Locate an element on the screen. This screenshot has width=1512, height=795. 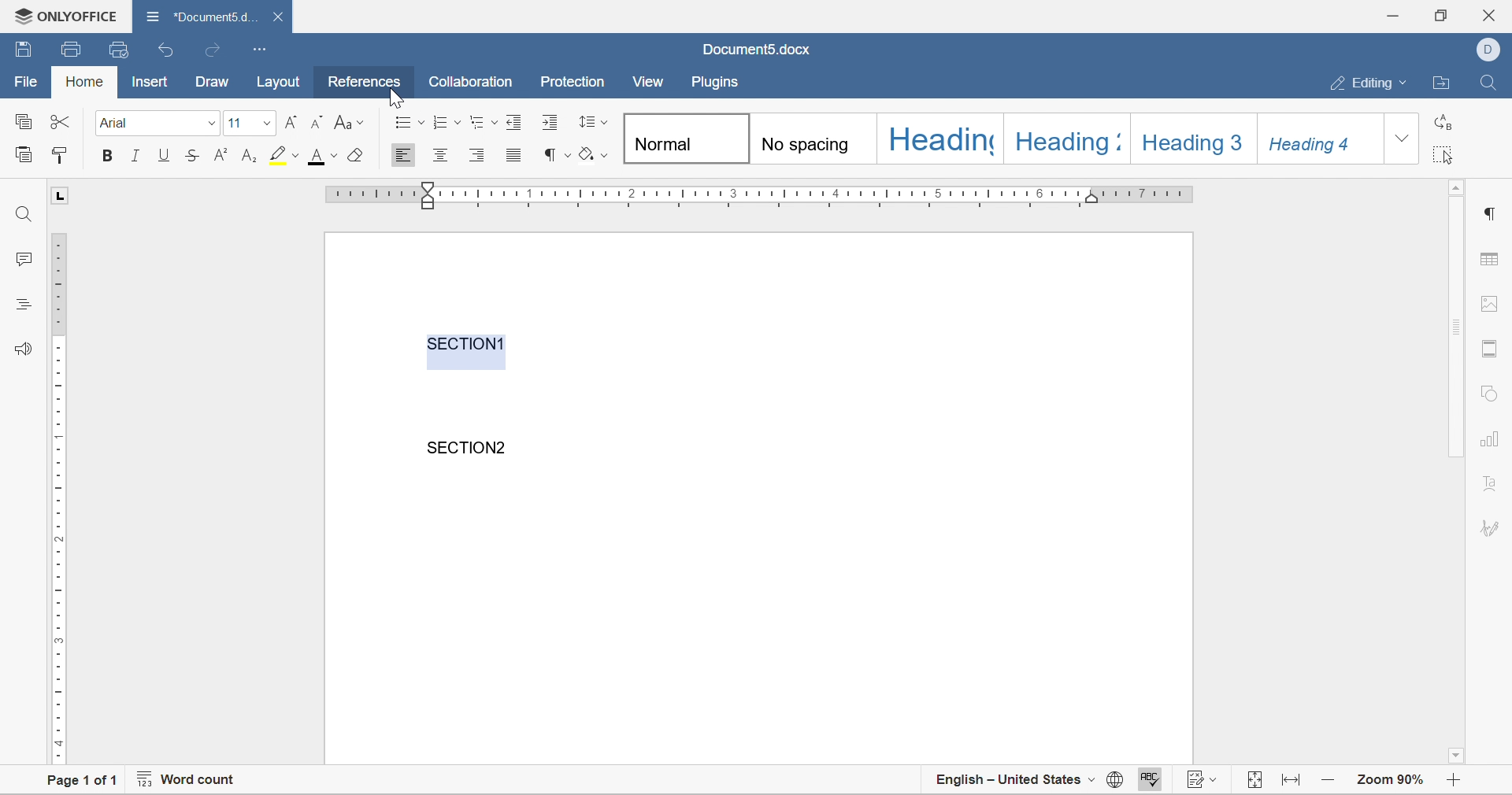
ruler is located at coordinates (57, 497).